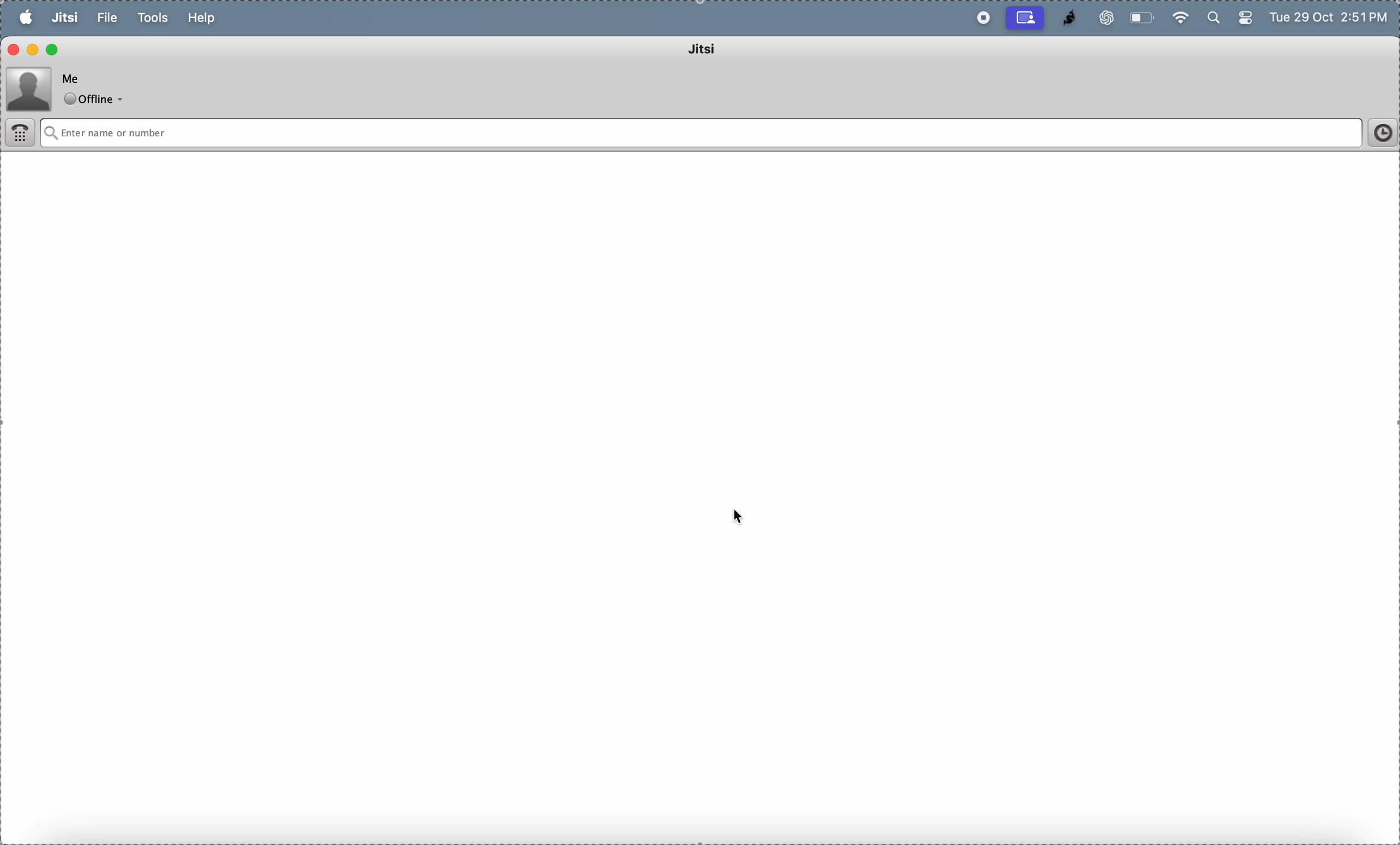 The image size is (1400, 845). I want to click on chatgpt, so click(1102, 18).